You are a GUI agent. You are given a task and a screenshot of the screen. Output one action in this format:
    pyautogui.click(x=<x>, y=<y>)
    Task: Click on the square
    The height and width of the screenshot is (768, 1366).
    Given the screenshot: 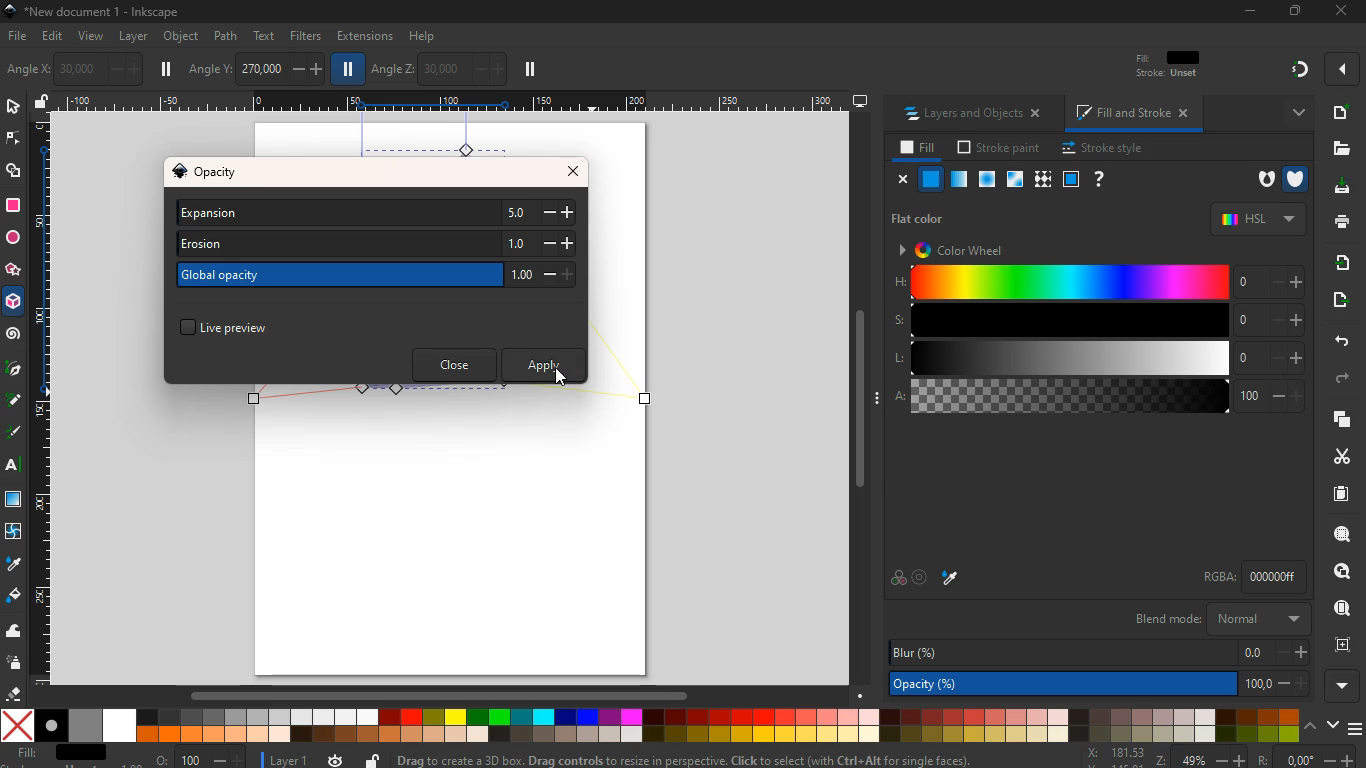 What is the action you would take?
    pyautogui.click(x=13, y=205)
    